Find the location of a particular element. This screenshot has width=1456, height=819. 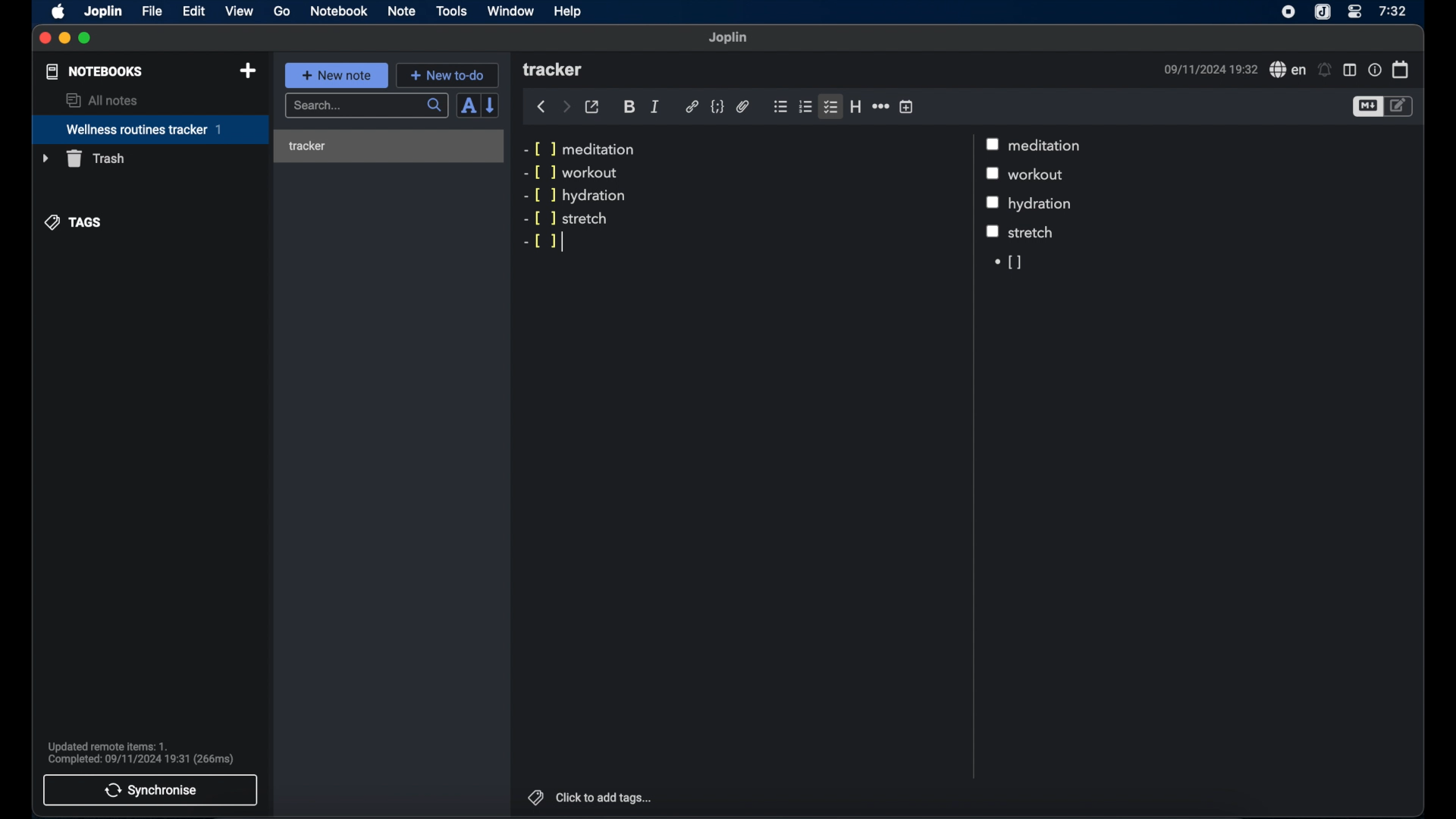

-[ ] stretch is located at coordinates (566, 220).